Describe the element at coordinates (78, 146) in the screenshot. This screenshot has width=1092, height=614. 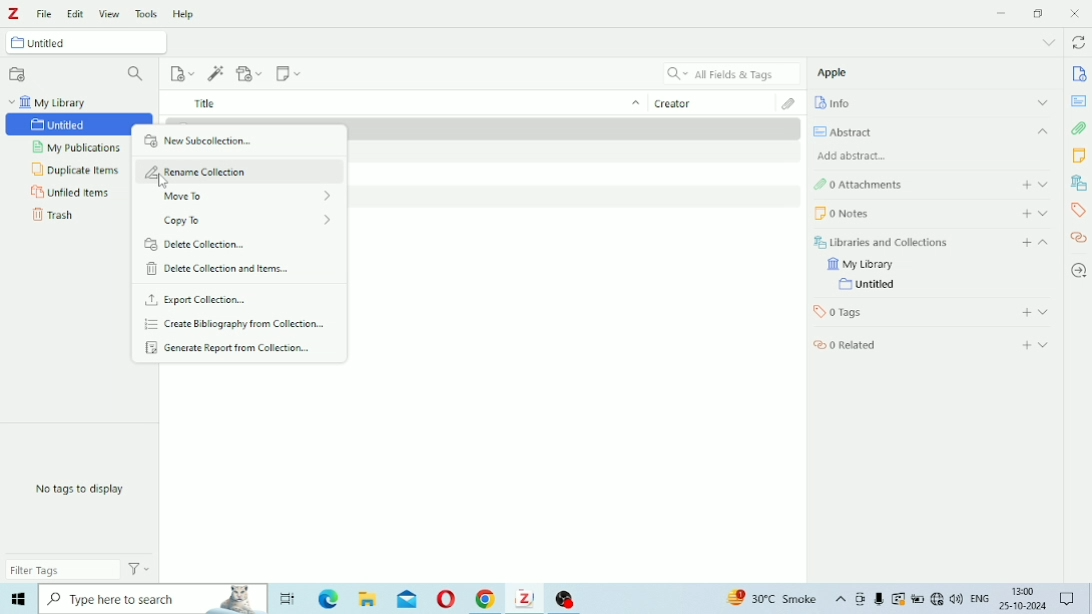
I see `My Publications` at that location.